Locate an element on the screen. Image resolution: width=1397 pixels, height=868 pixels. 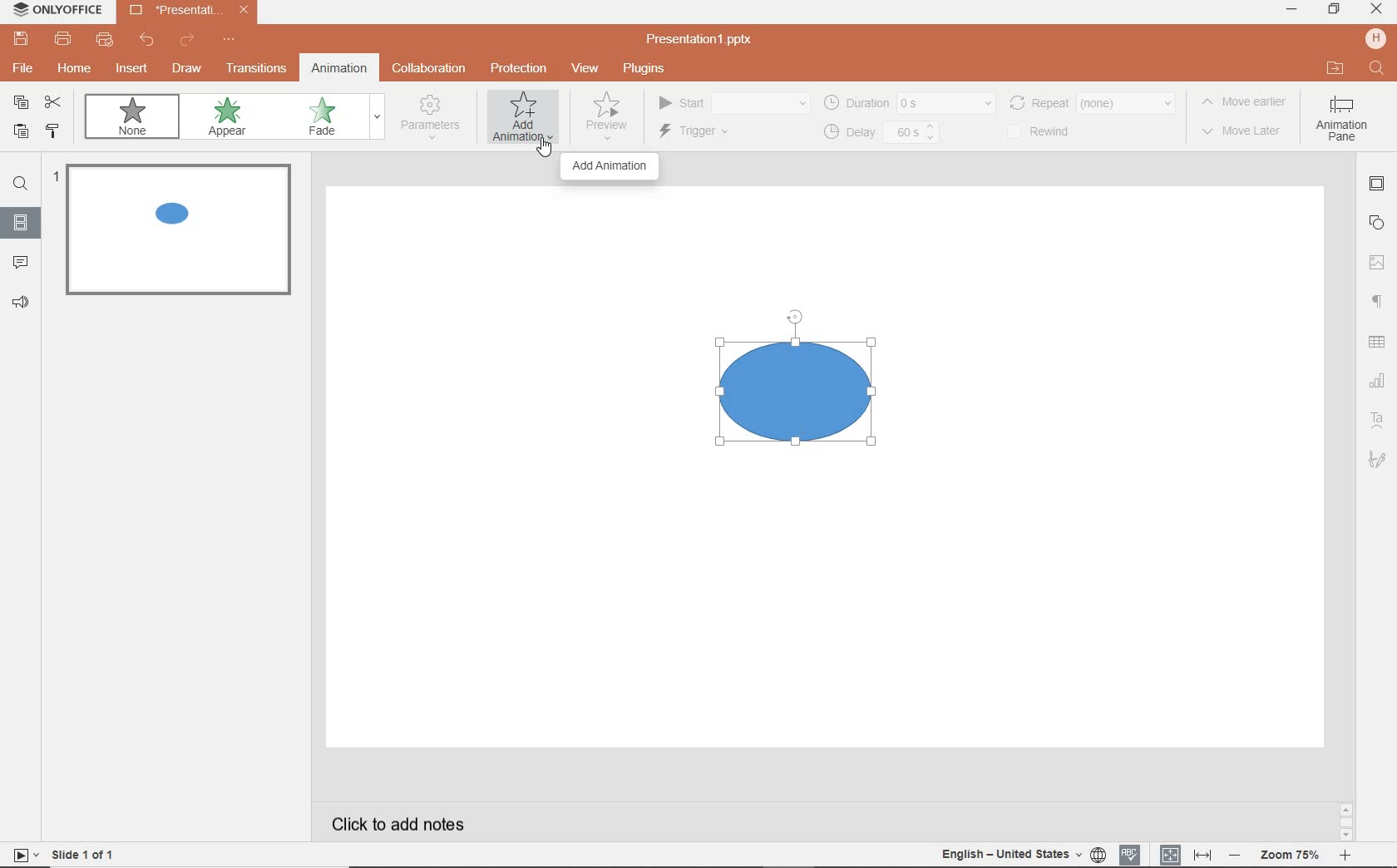
start slide show is located at coordinates (20, 855).